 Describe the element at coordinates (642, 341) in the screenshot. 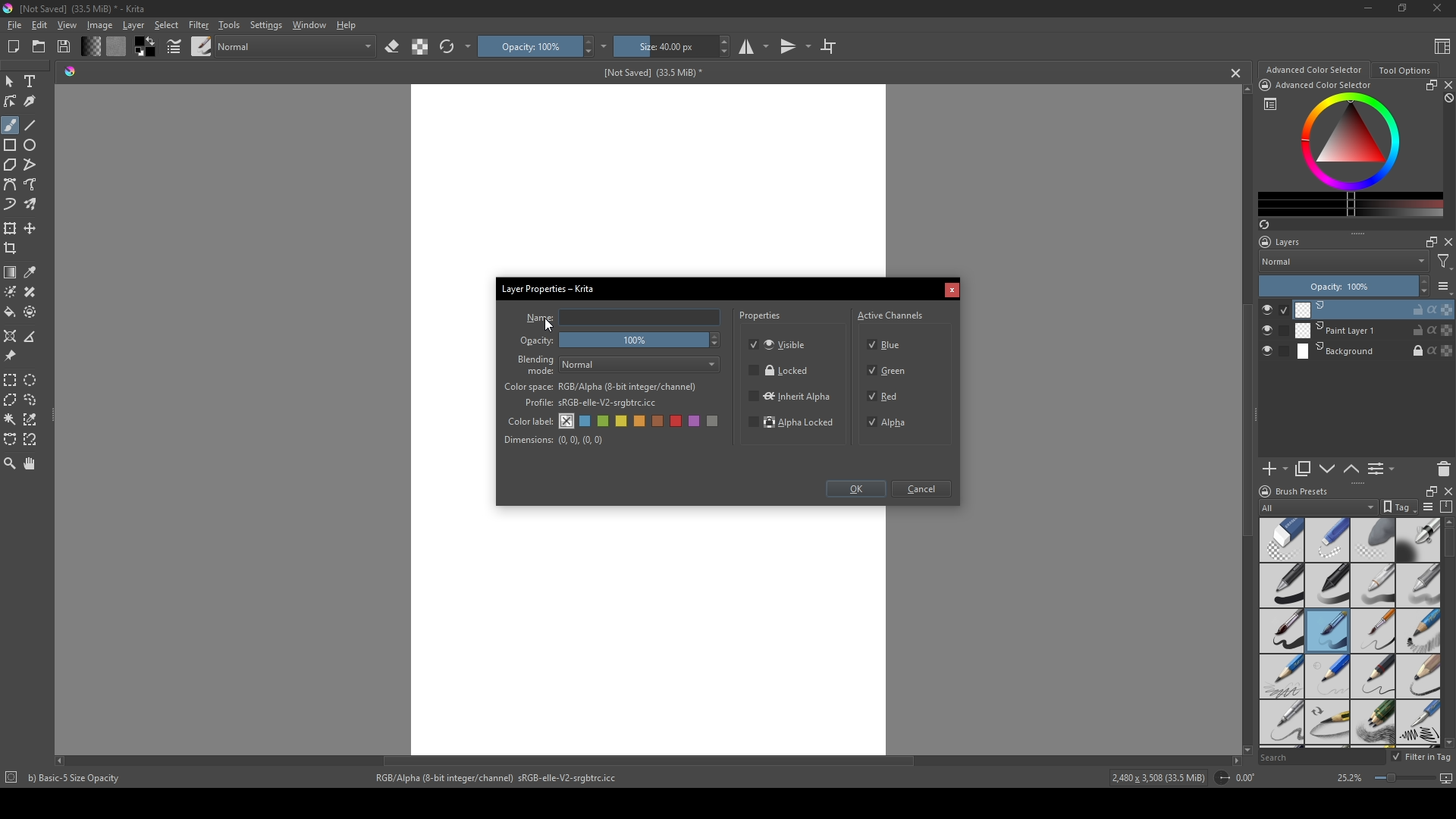

I see `100%` at that location.